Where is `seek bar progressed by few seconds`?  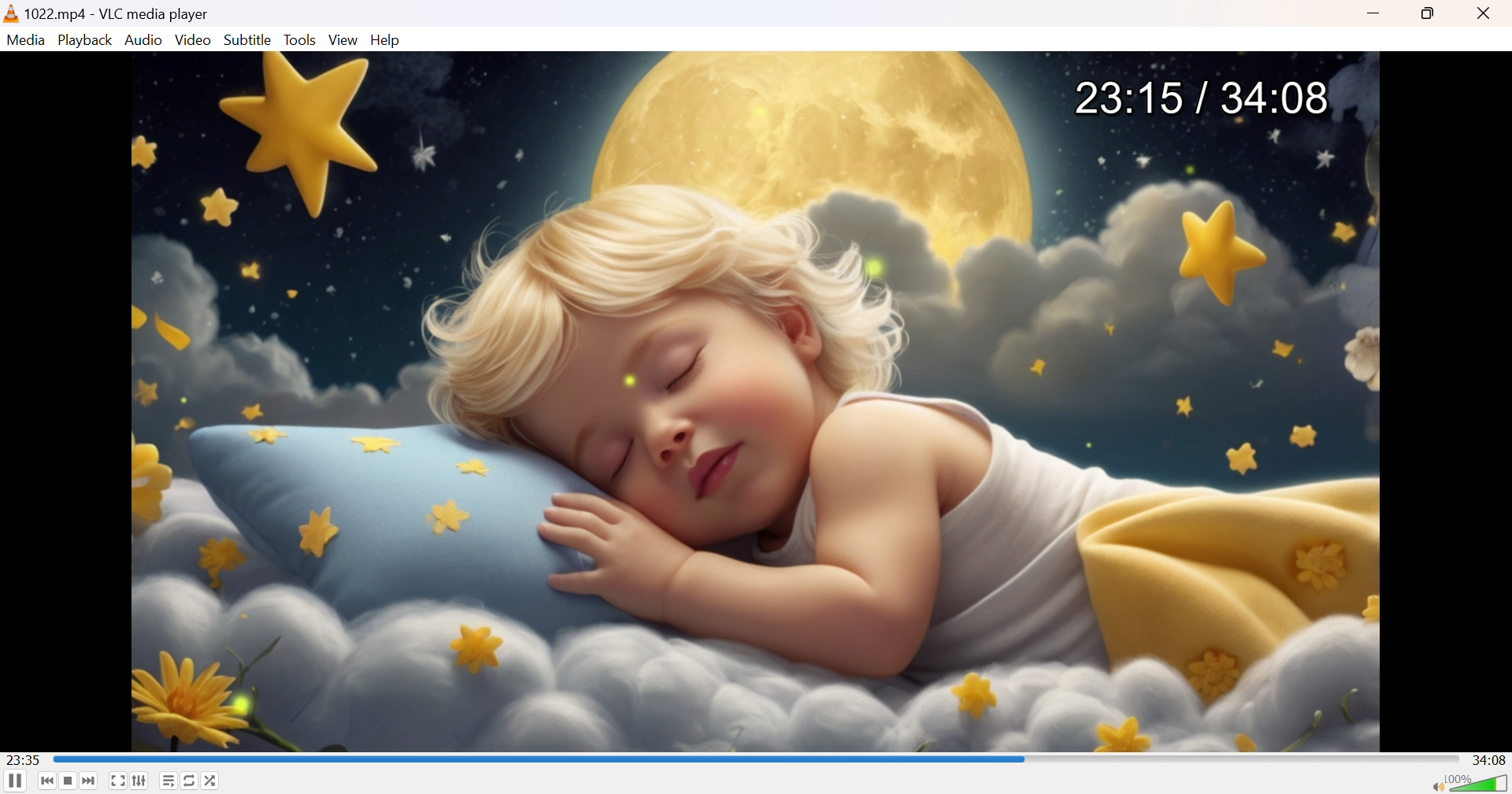 seek bar progressed by few seconds is located at coordinates (539, 759).